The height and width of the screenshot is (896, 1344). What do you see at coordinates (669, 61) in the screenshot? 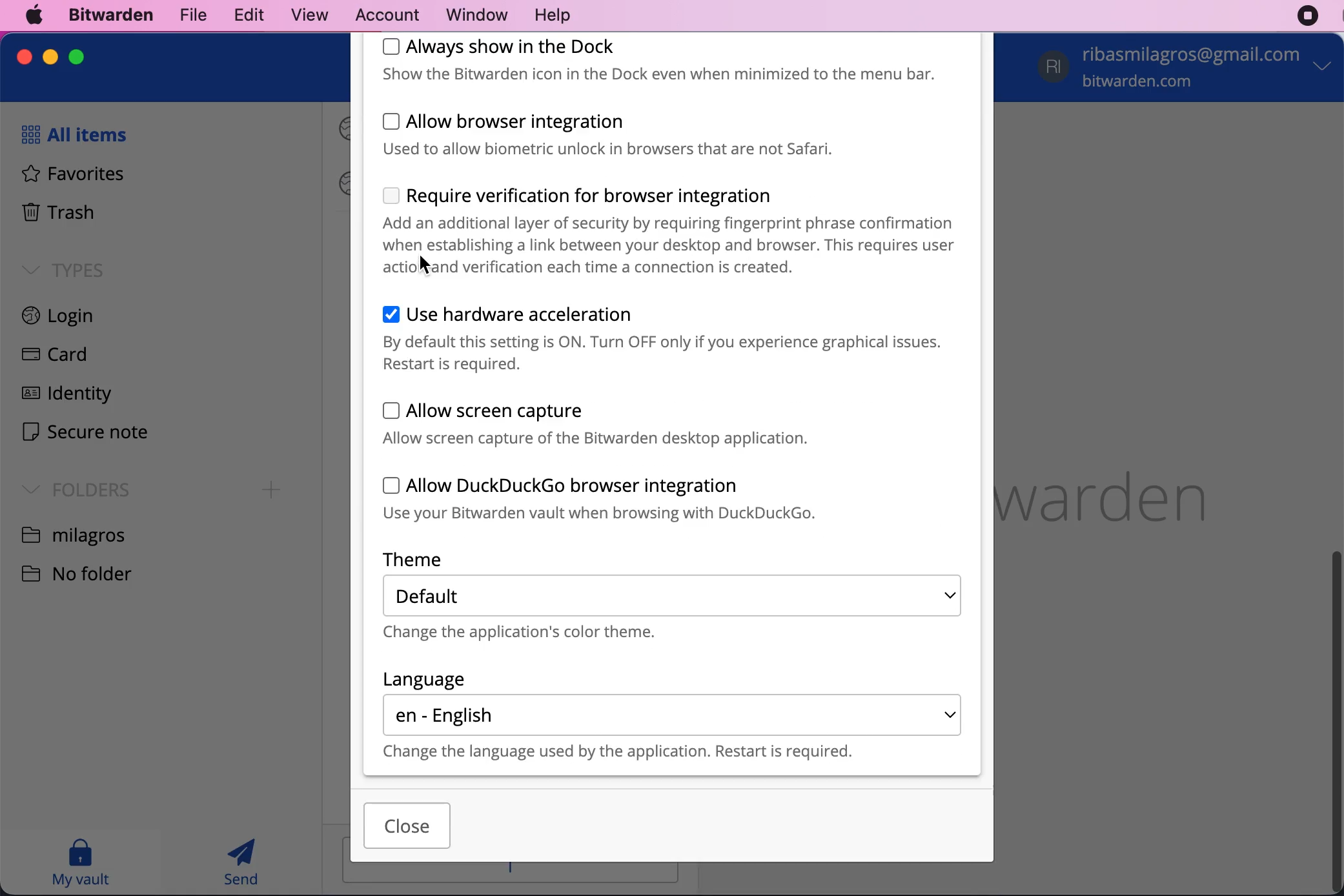
I see `always show in the dock` at bounding box center [669, 61].